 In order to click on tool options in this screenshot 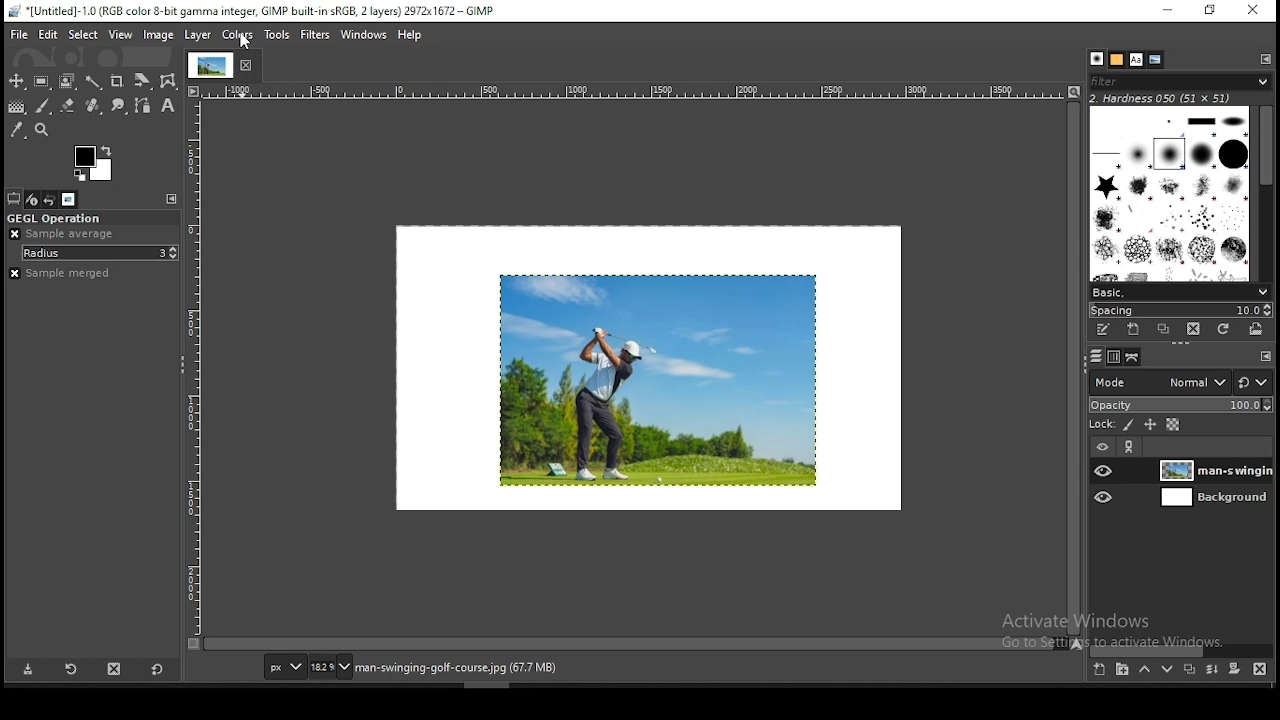, I will do `click(15, 198)`.